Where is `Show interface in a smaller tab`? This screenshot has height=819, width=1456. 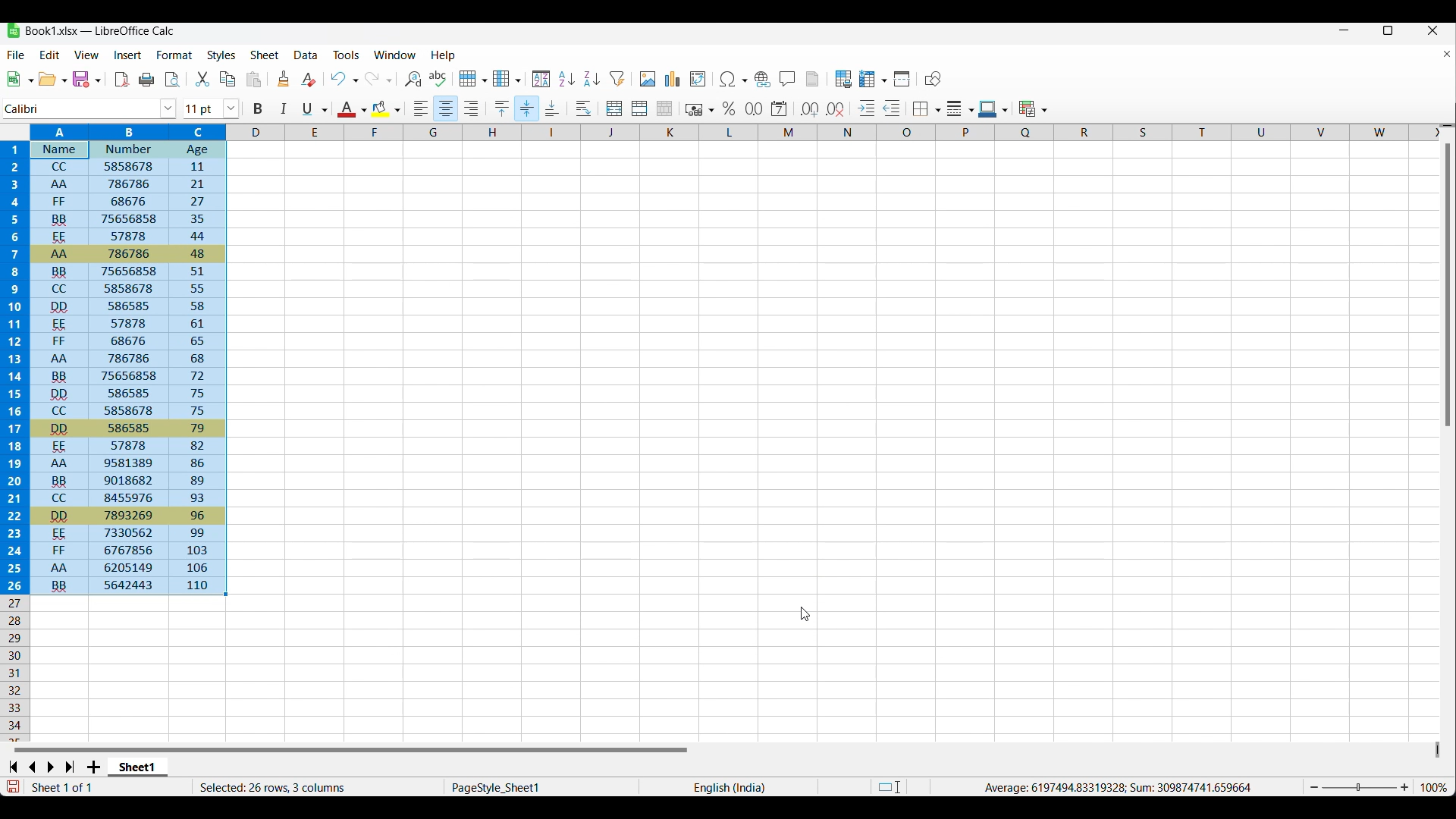 Show interface in a smaller tab is located at coordinates (1389, 30).